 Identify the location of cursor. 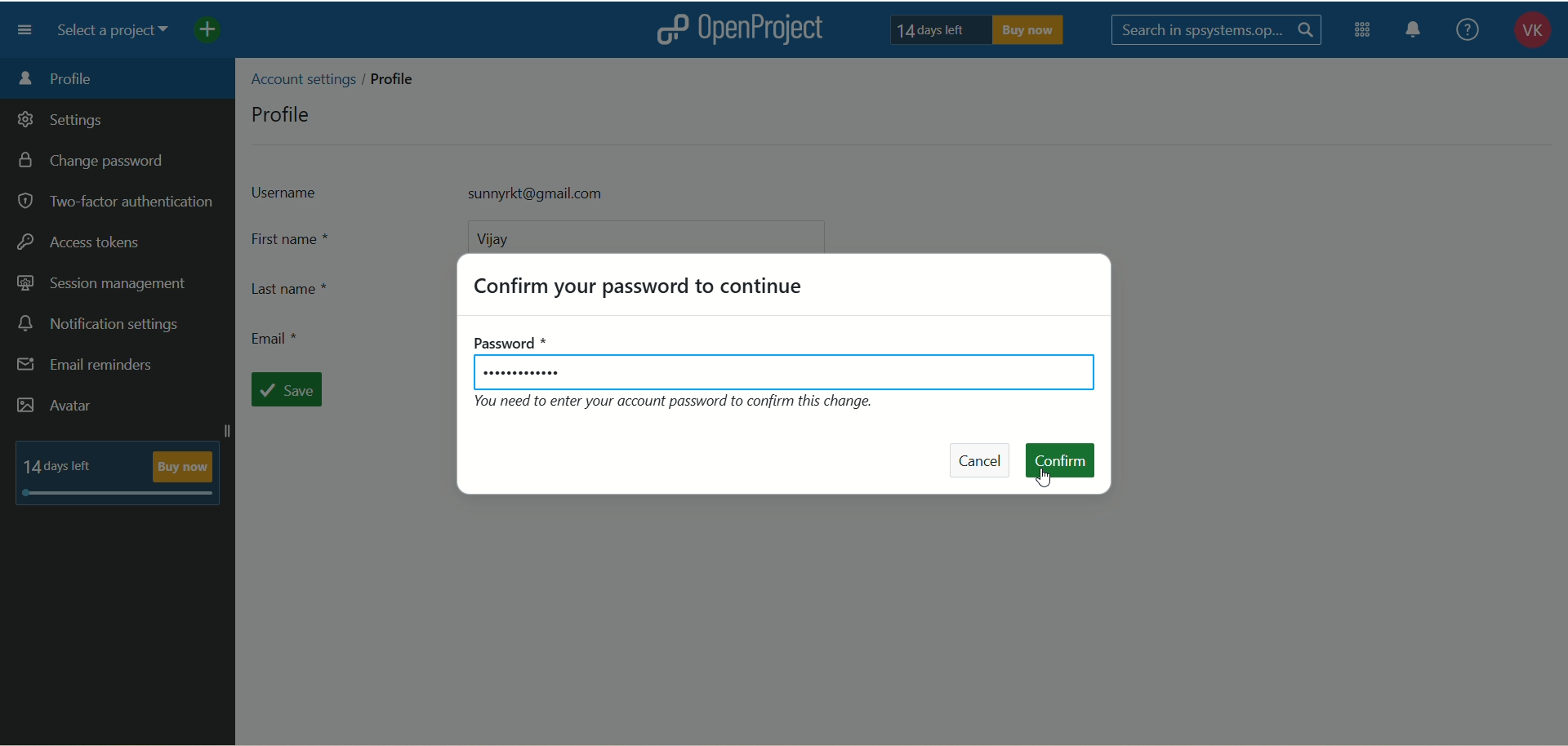
(1042, 477).